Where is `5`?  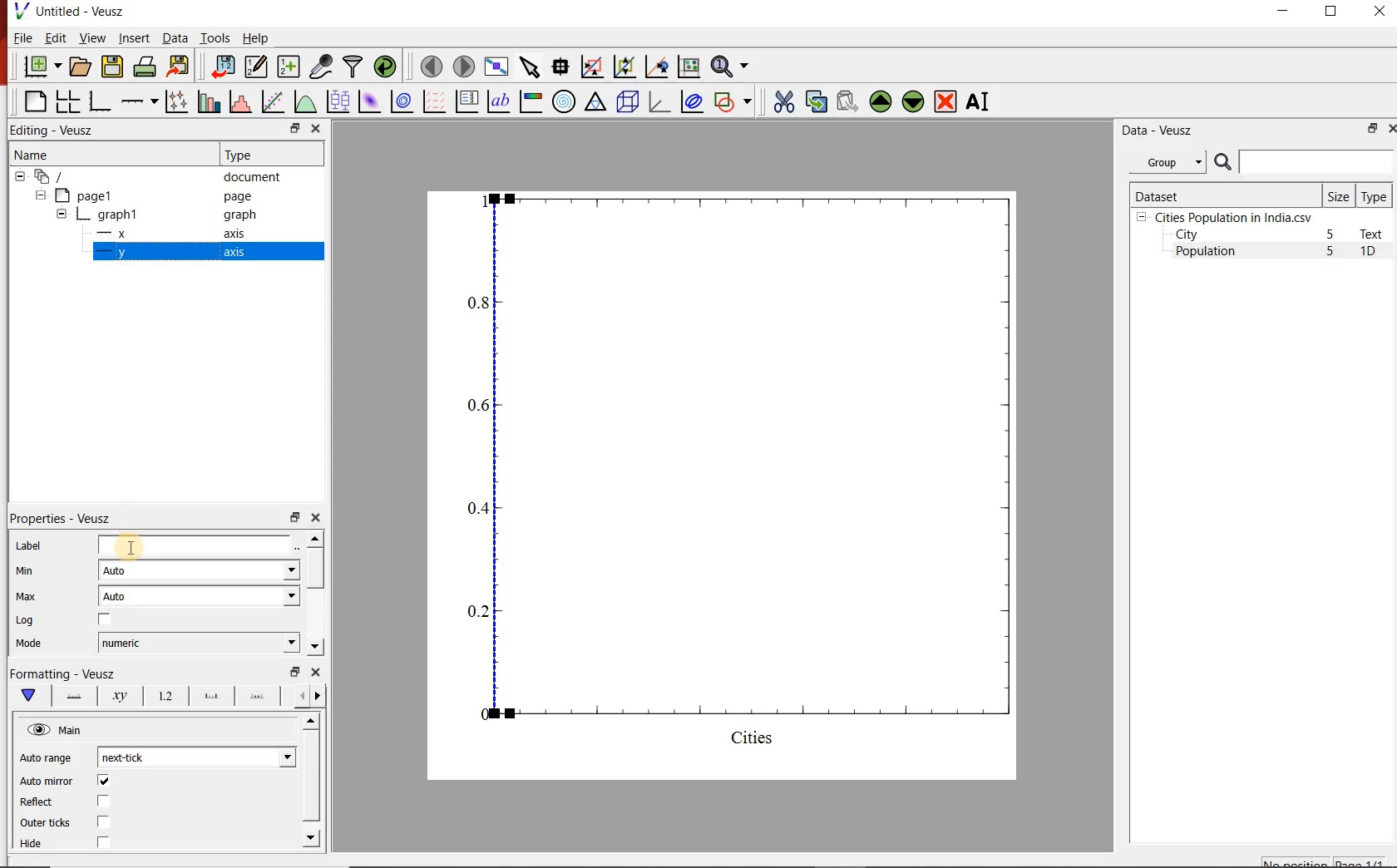 5 is located at coordinates (1331, 235).